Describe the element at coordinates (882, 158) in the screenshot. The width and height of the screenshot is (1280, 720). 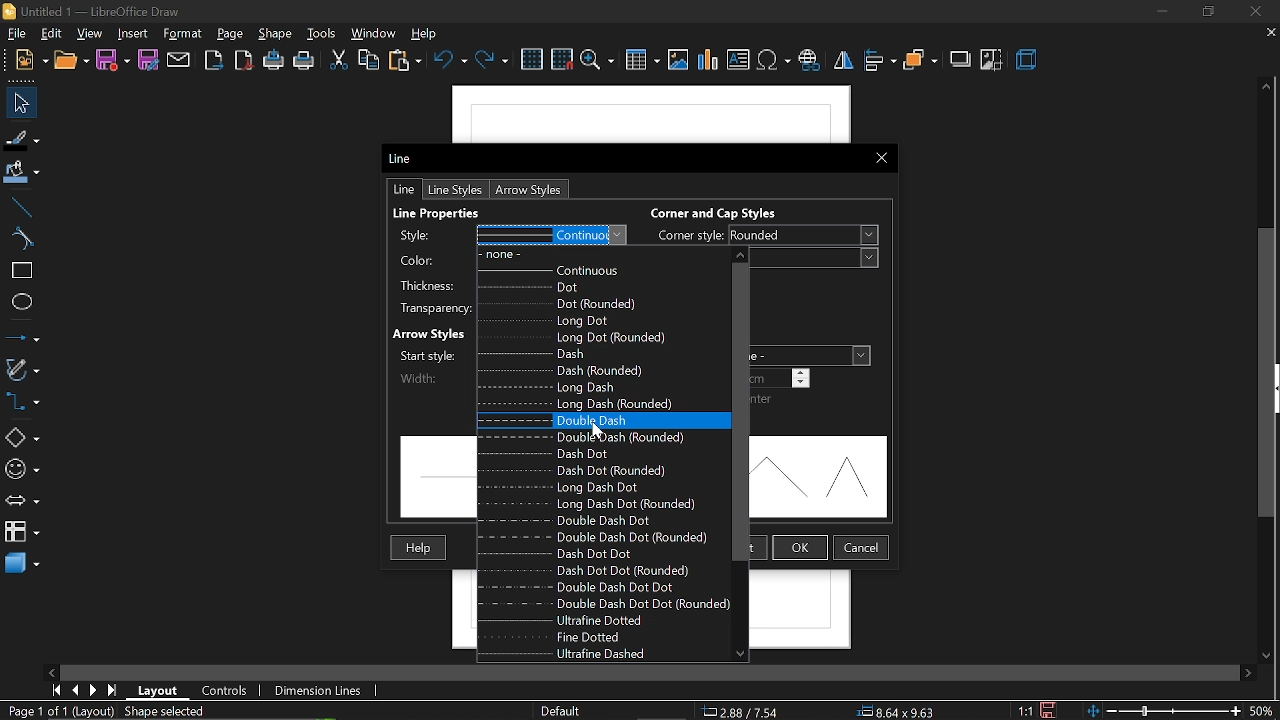
I see `close current window` at that location.